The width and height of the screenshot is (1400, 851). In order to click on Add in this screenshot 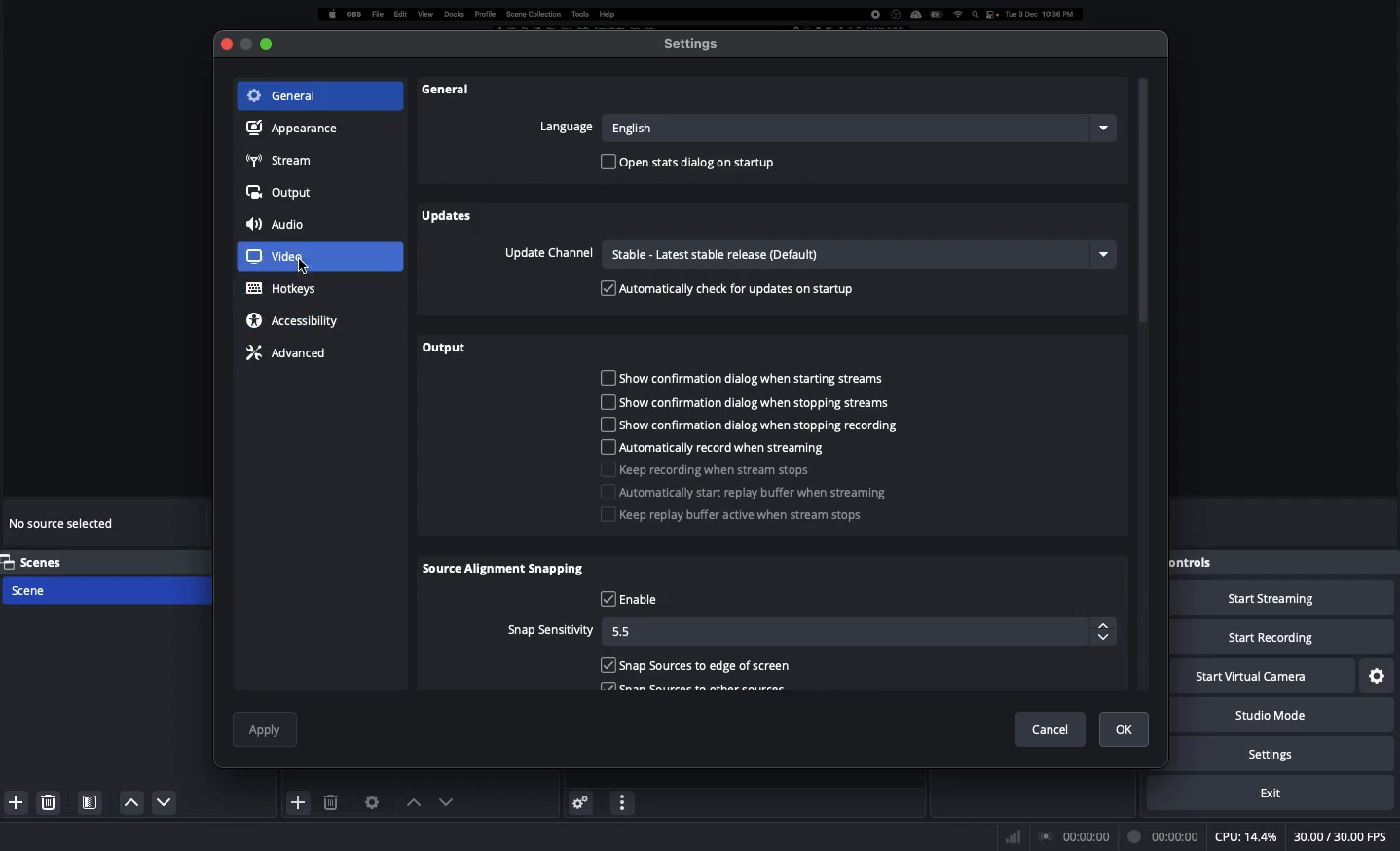, I will do `click(1044, 659)`.